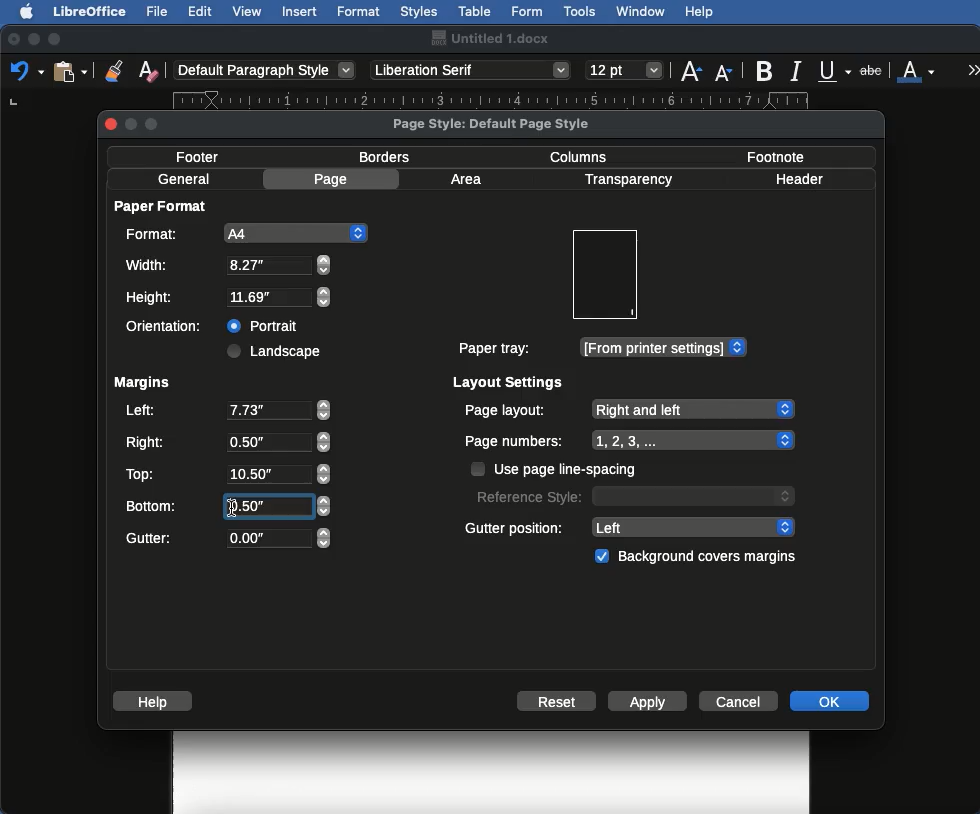 The image size is (980, 814). I want to click on Tools, so click(581, 12).